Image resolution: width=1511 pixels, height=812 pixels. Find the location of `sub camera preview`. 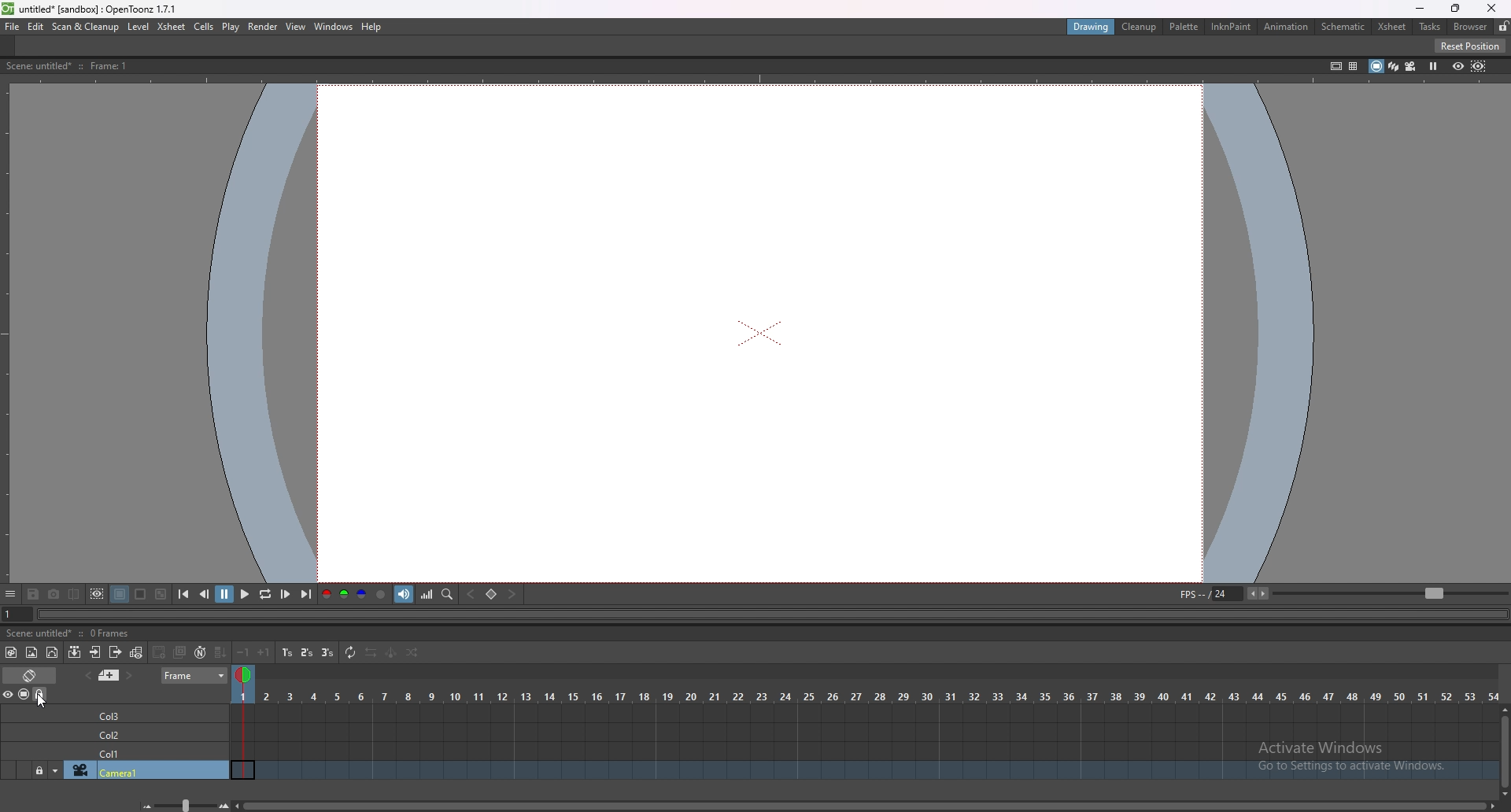

sub camera preview is located at coordinates (1479, 66).